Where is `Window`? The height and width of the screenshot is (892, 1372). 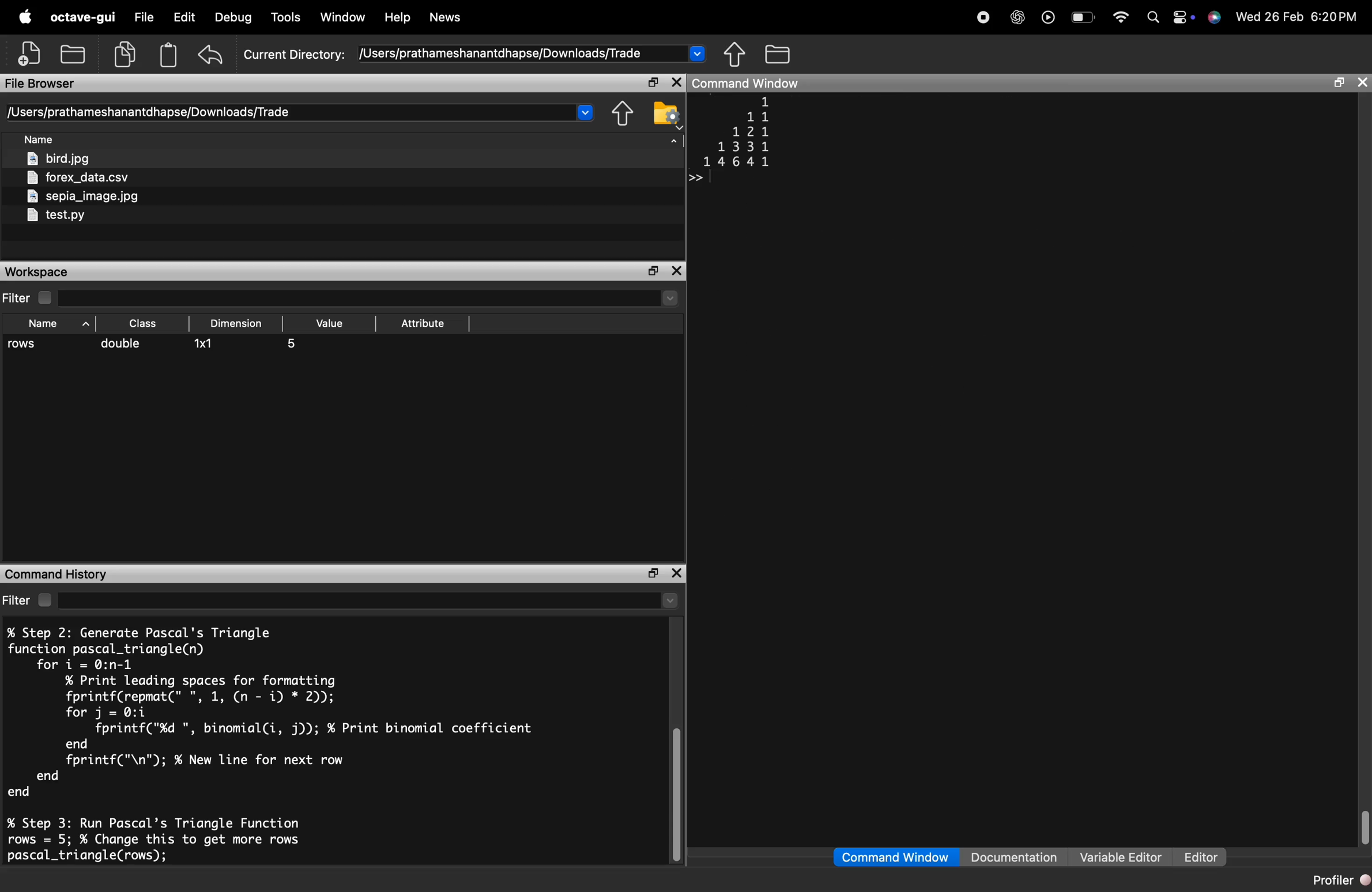
Window is located at coordinates (342, 17).